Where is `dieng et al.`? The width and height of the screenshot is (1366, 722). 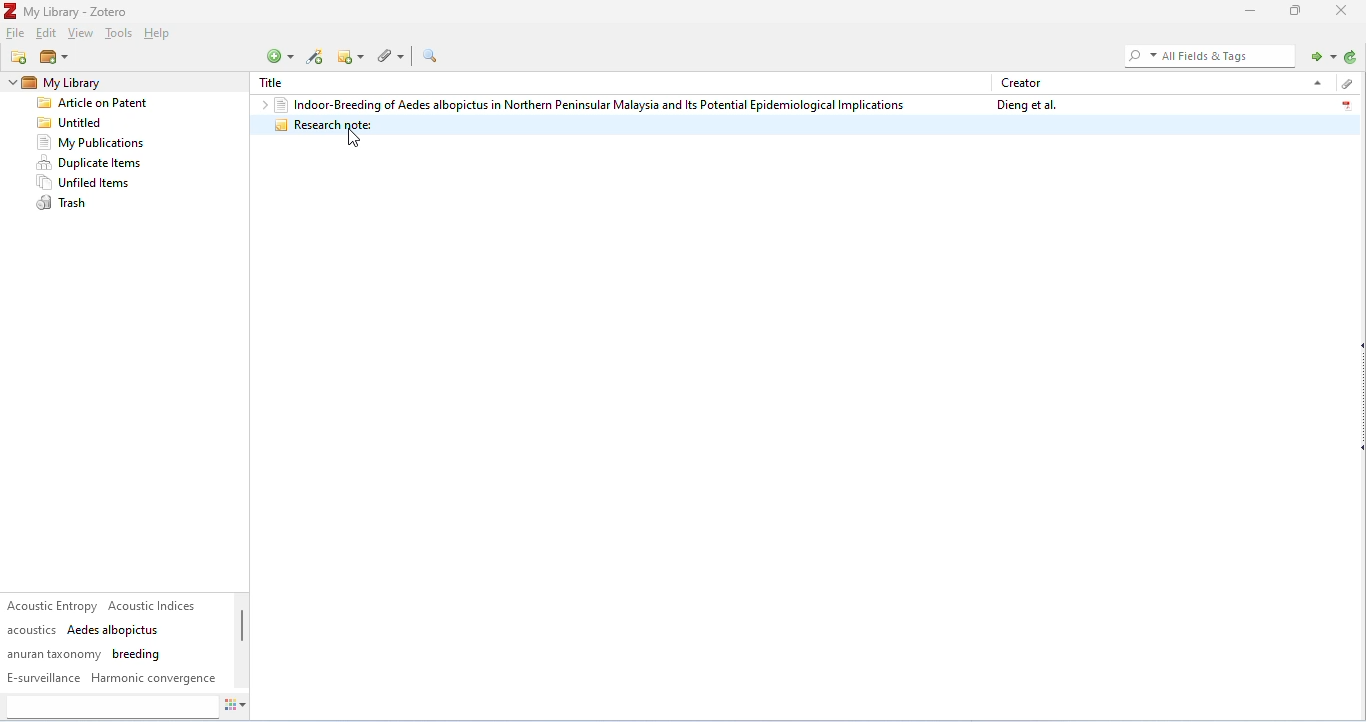 dieng et al. is located at coordinates (1024, 105).